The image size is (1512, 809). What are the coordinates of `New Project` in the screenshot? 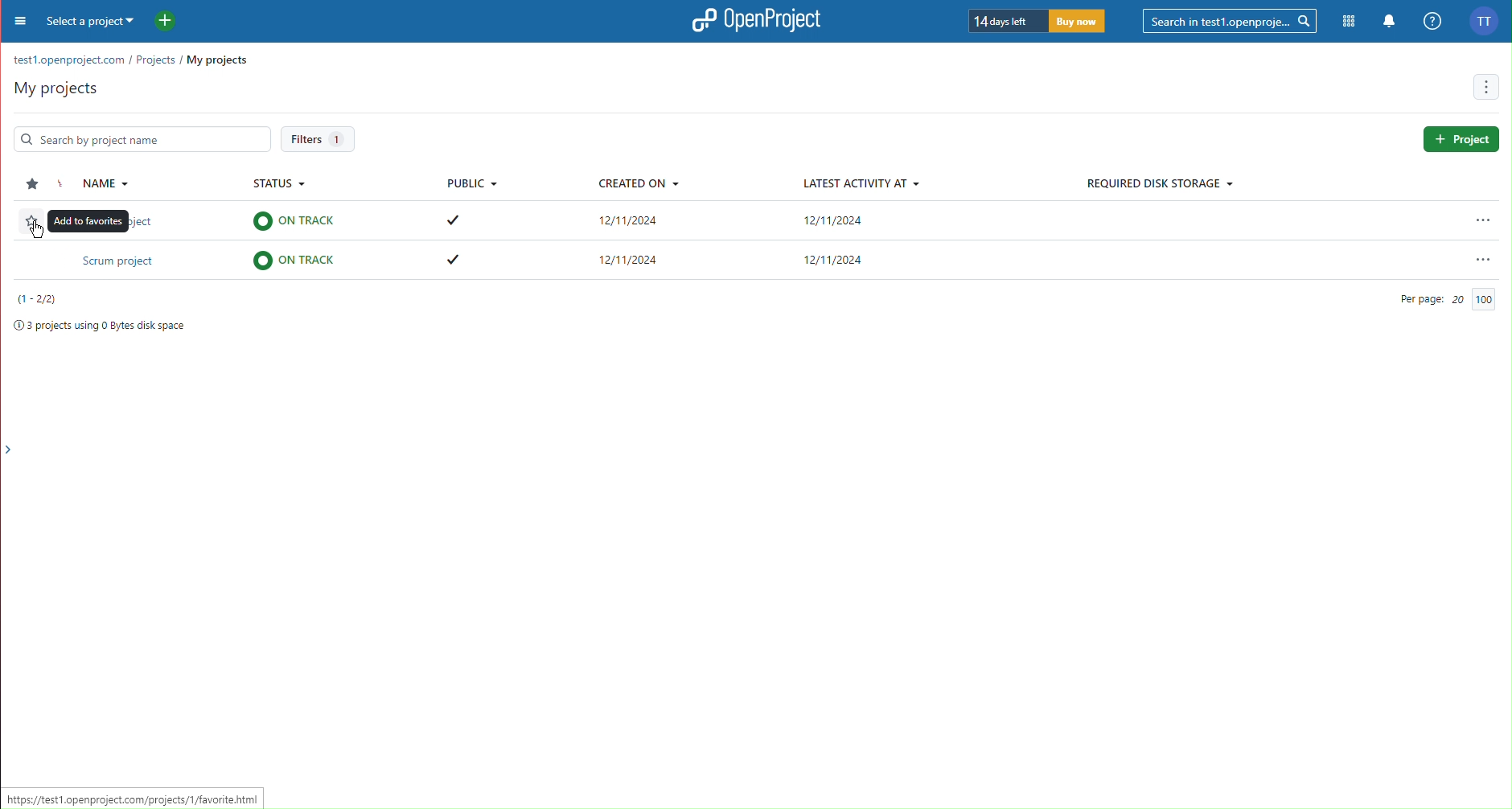 It's located at (165, 22).